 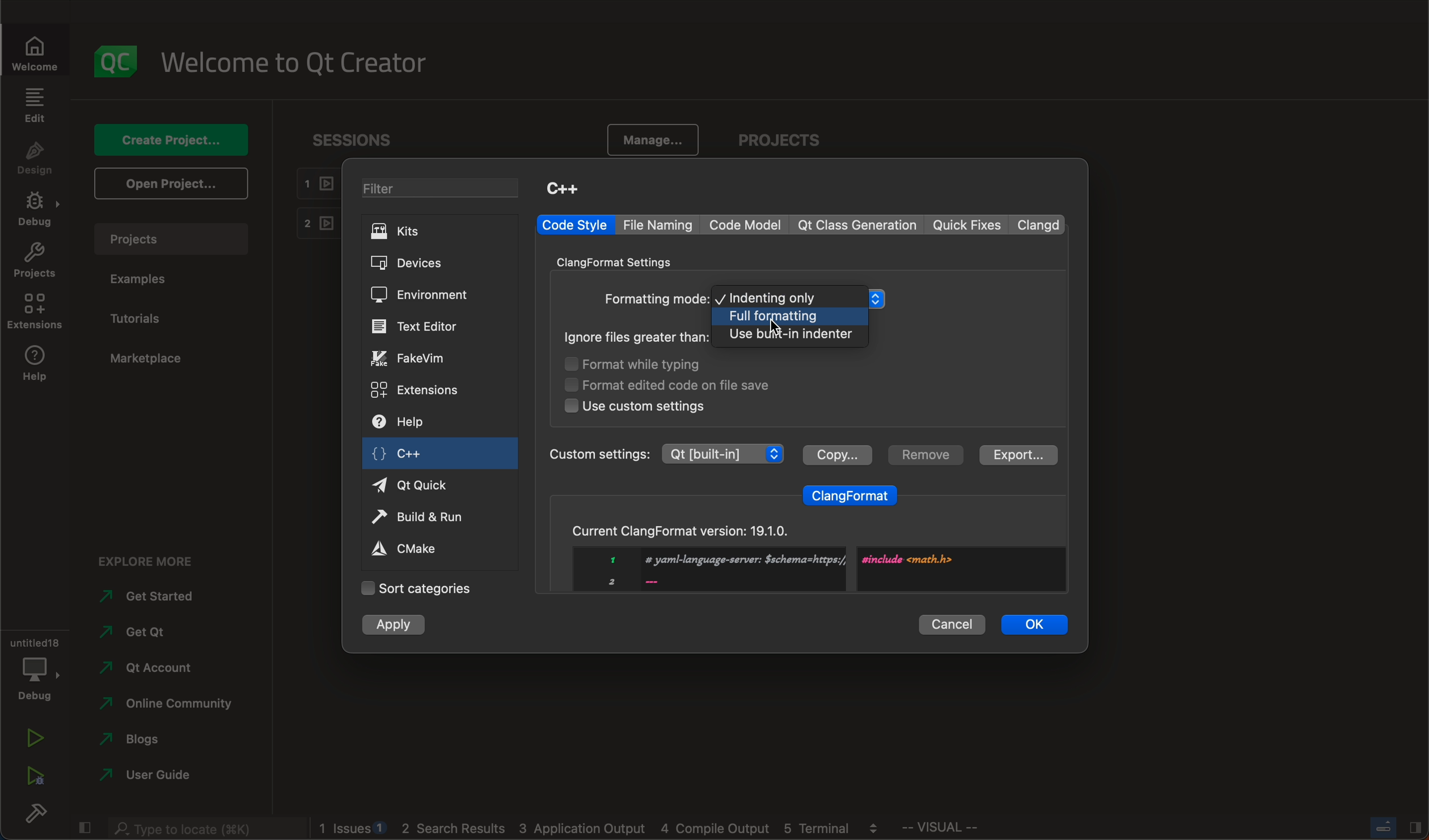 What do you see at coordinates (34, 312) in the screenshot?
I see `extensions` at bounding box center [34, 312].